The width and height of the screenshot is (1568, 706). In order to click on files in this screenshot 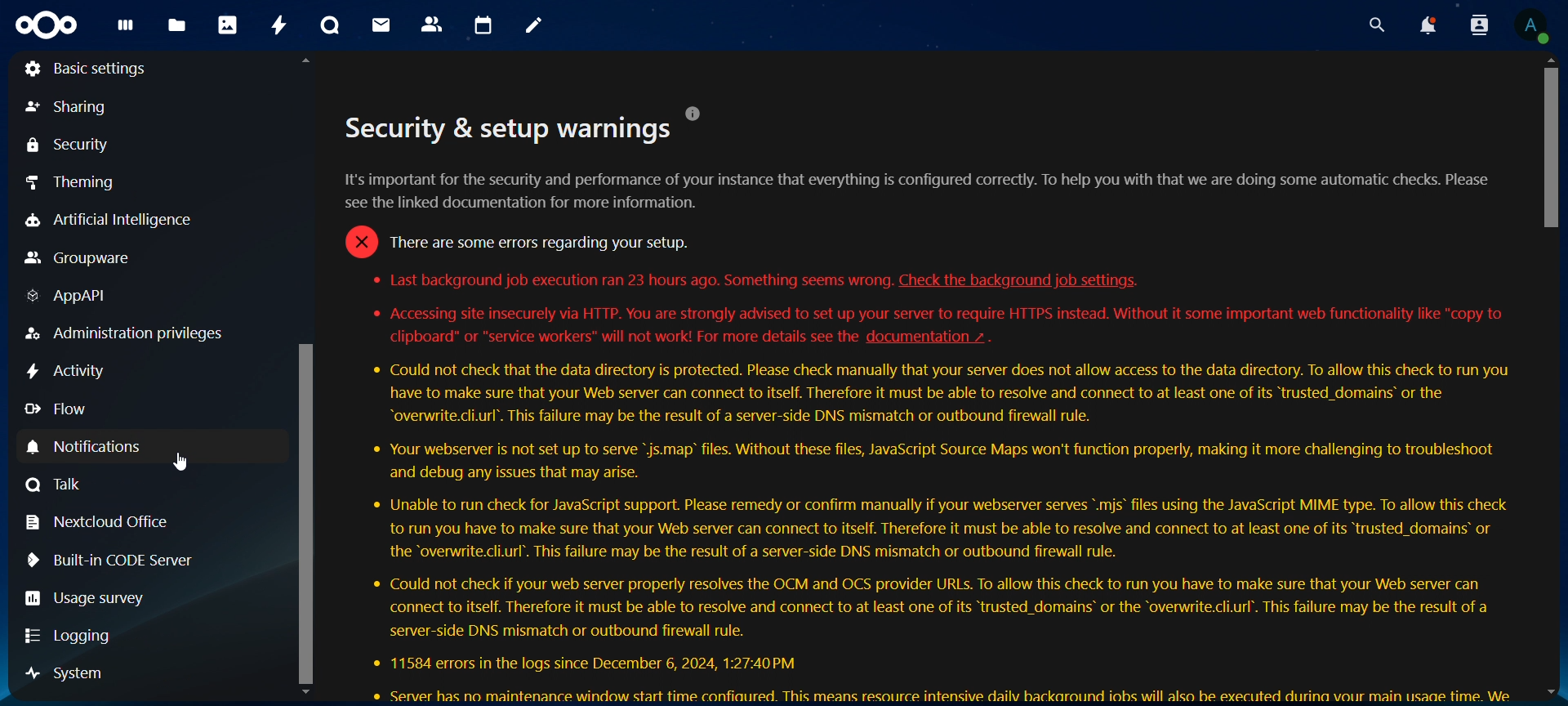, I will do `click(176, 25)`.